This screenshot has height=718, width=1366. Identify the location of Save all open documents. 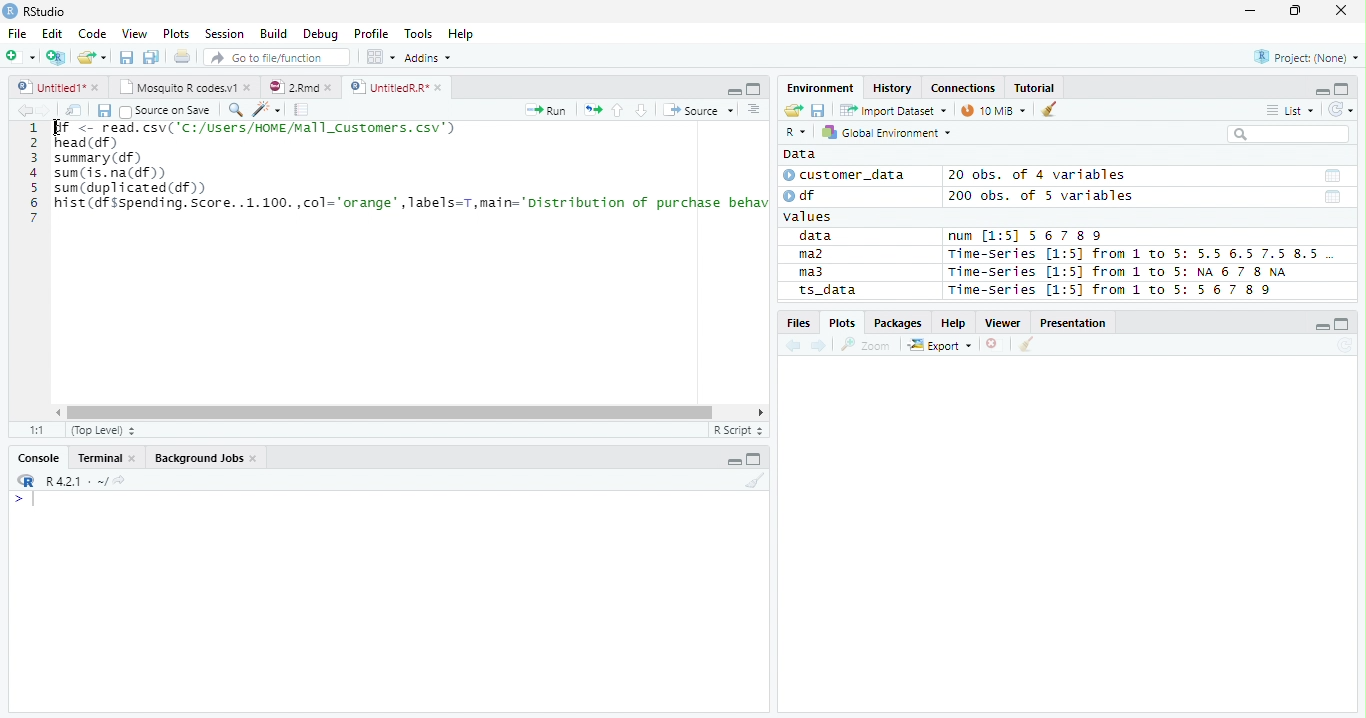
(151, 58).